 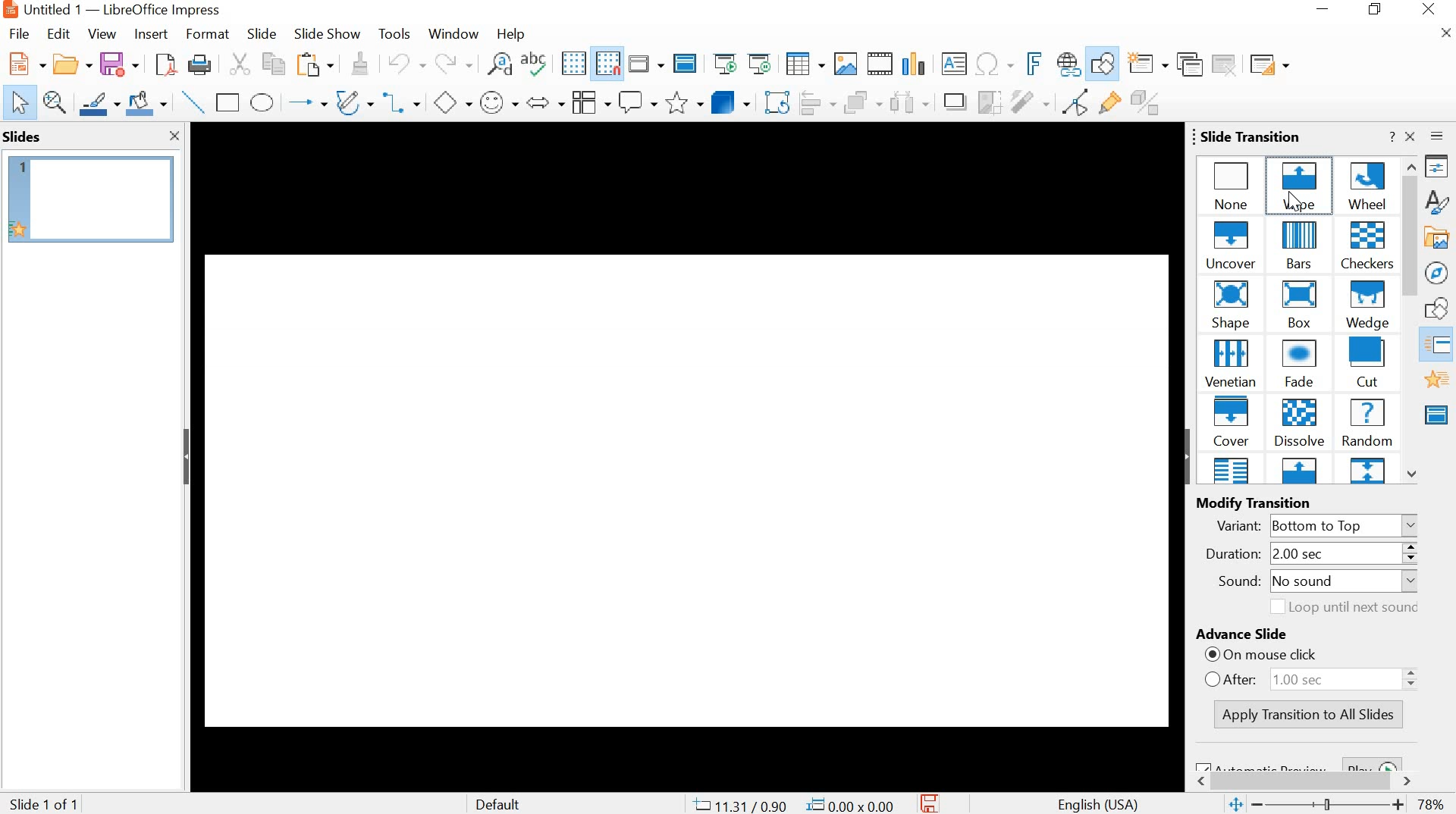 I want to click on Filter, so click(x=1029, y=102).